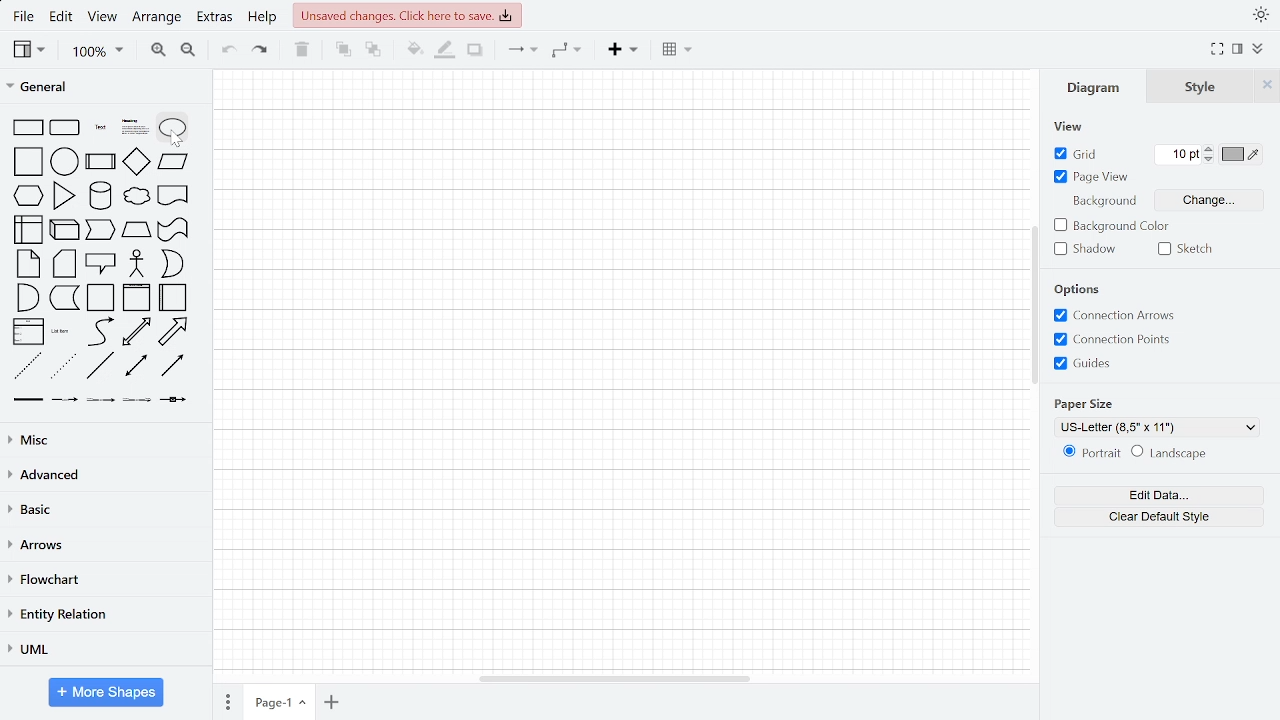 This screenshot has height=720, width=1280. What do you see at coordinates (101, 196) in the screenshot?
I see `cylinder` at bounding box center [101, 196].